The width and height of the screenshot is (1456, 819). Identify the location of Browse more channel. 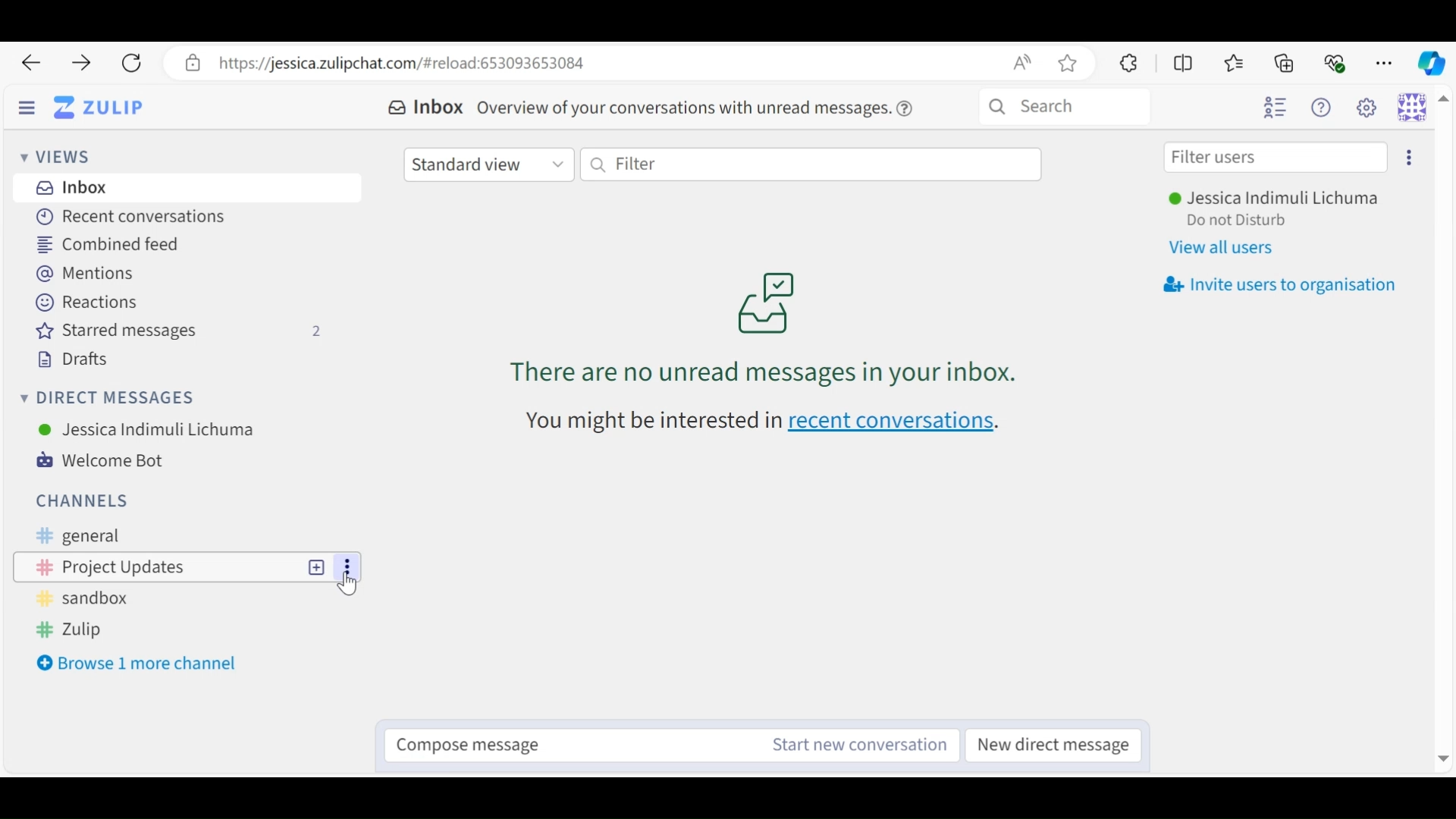
(140, 664).